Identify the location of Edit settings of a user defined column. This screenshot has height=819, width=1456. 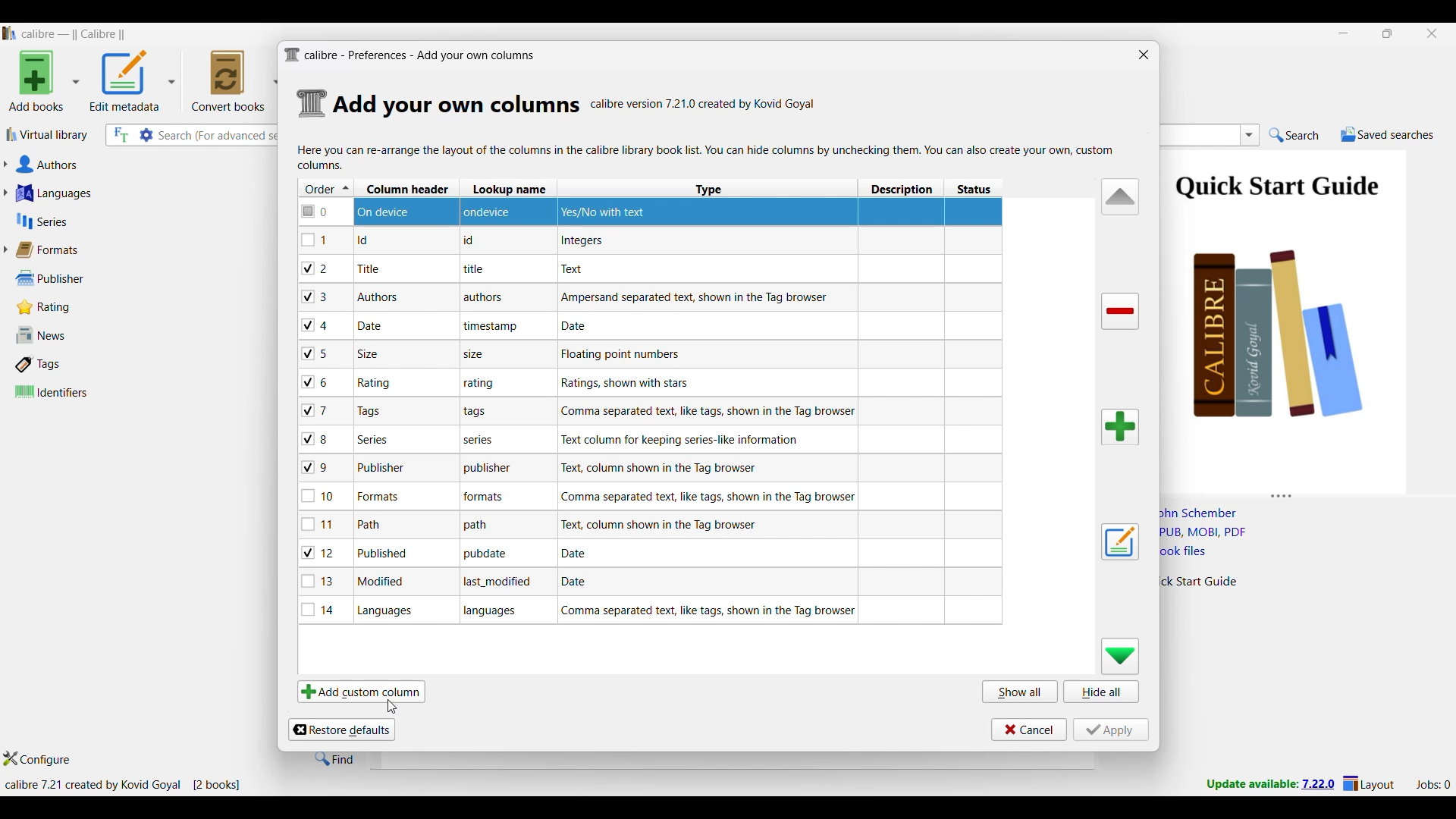
(1120, 542).